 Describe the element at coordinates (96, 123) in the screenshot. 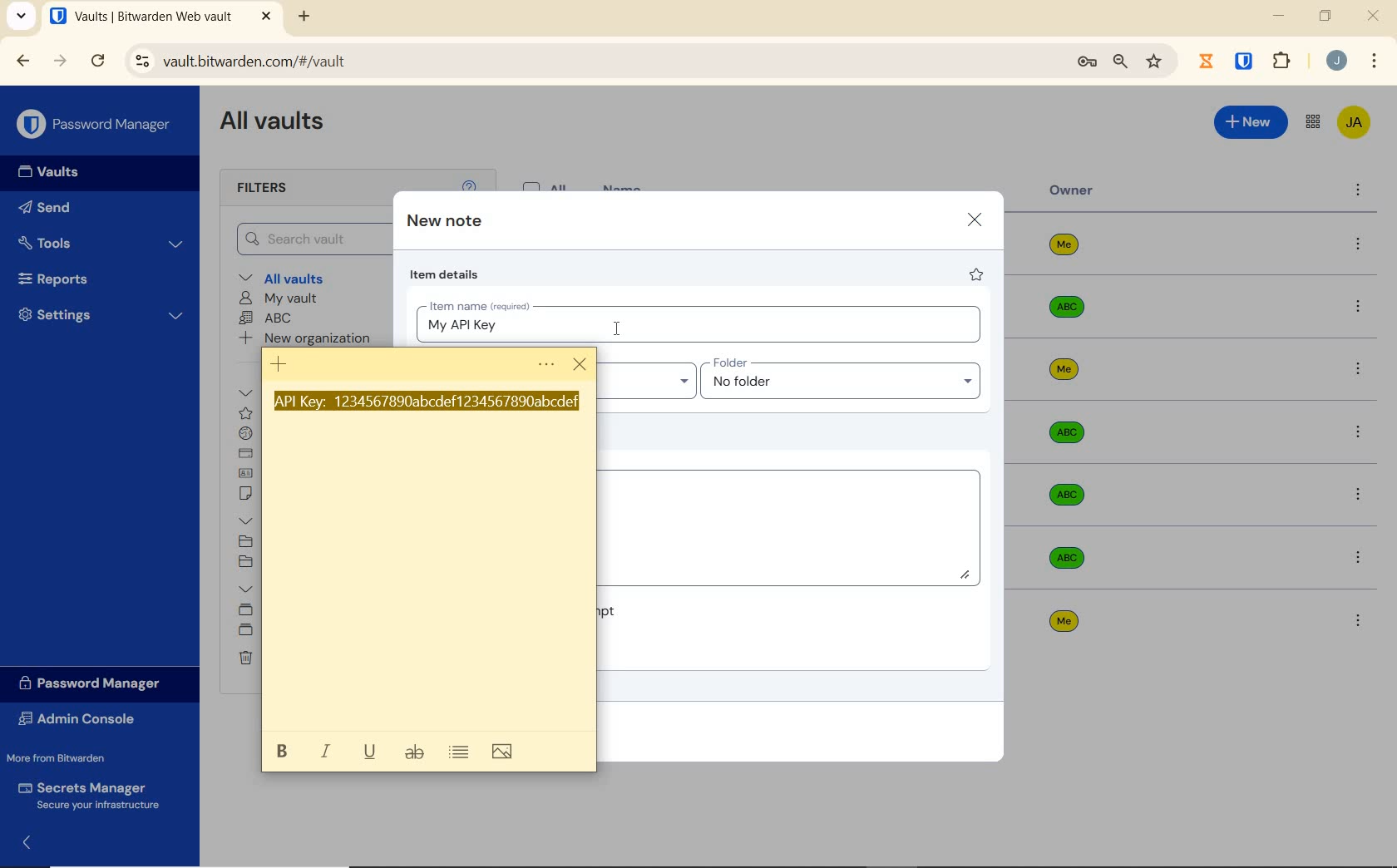

I see `Password Manager` at that location.